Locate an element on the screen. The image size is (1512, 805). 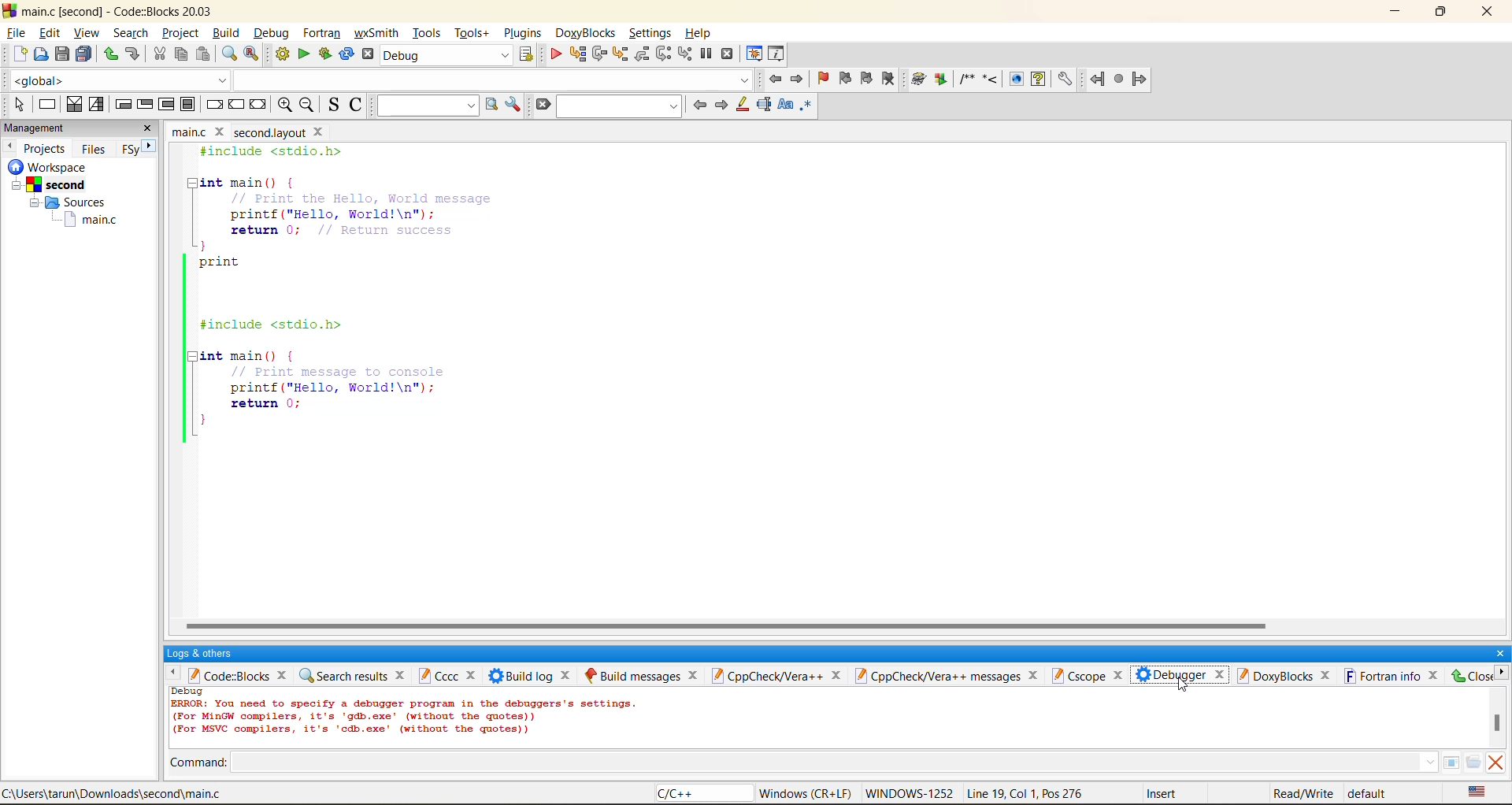
replace is located at coordinates (250, 54).